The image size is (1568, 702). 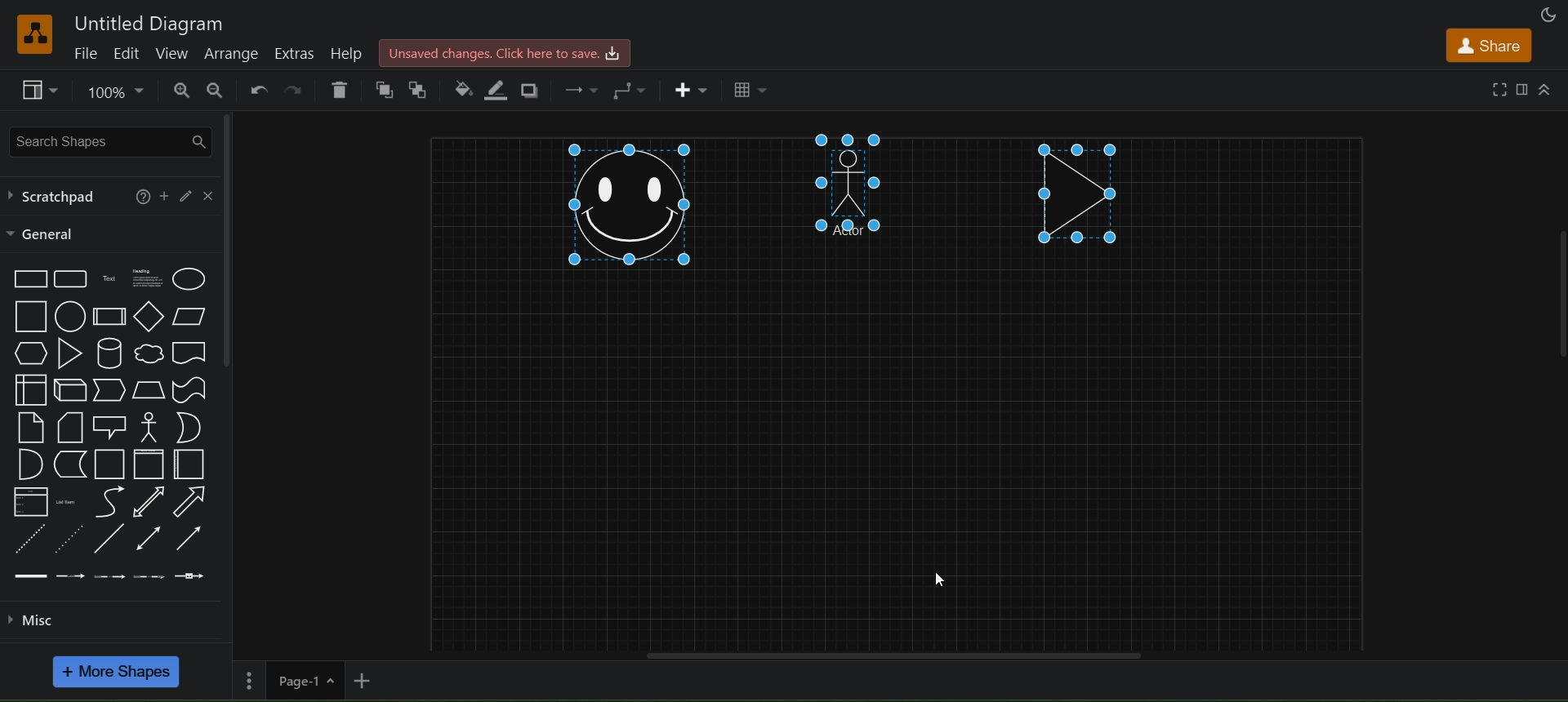 I want to click on zoom in, so click(x=179, y=91).